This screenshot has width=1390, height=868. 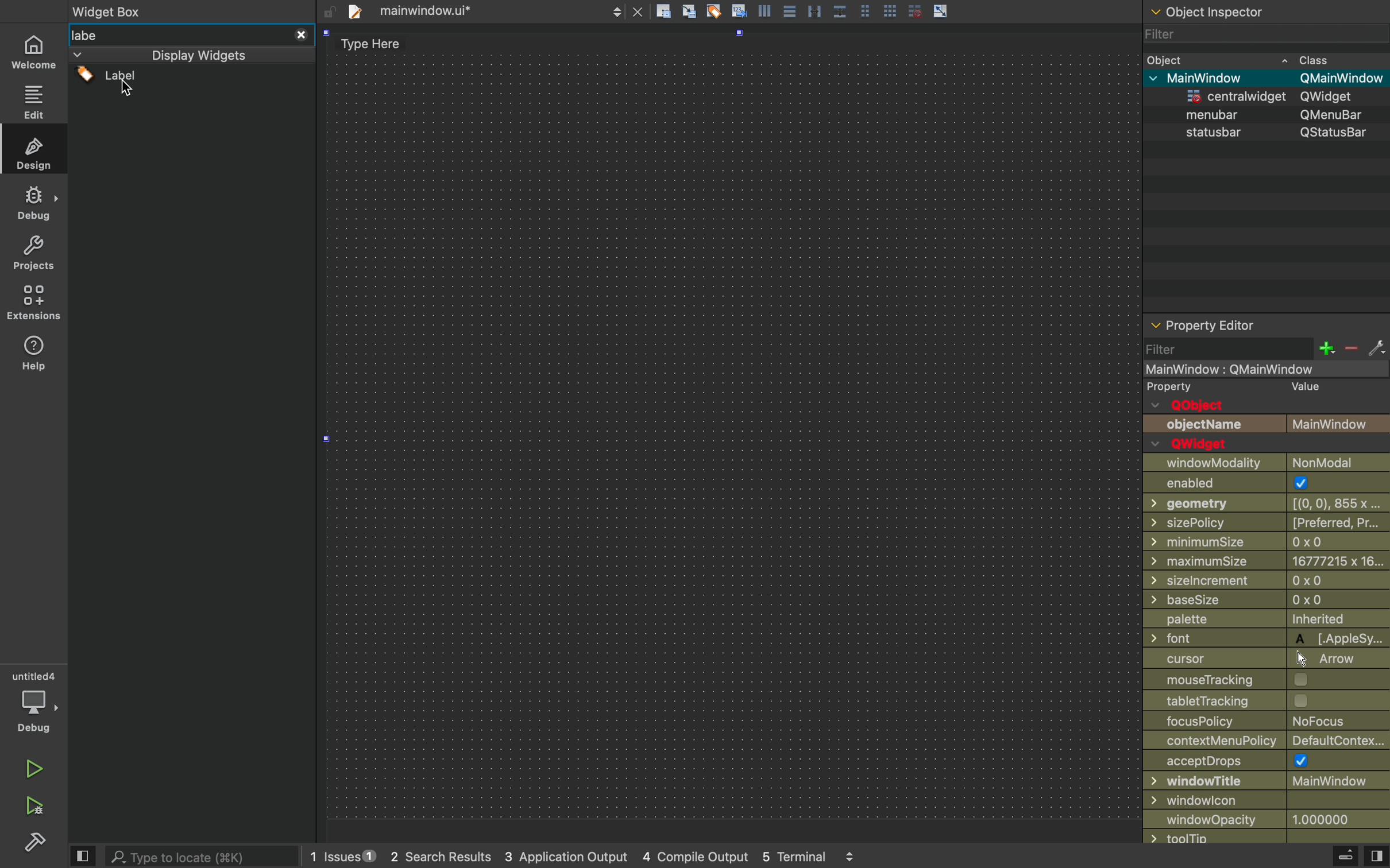 What do you see at coordinates (1265, 60) in the screenshot?
I see `object` at bounding box center [1265, 60].